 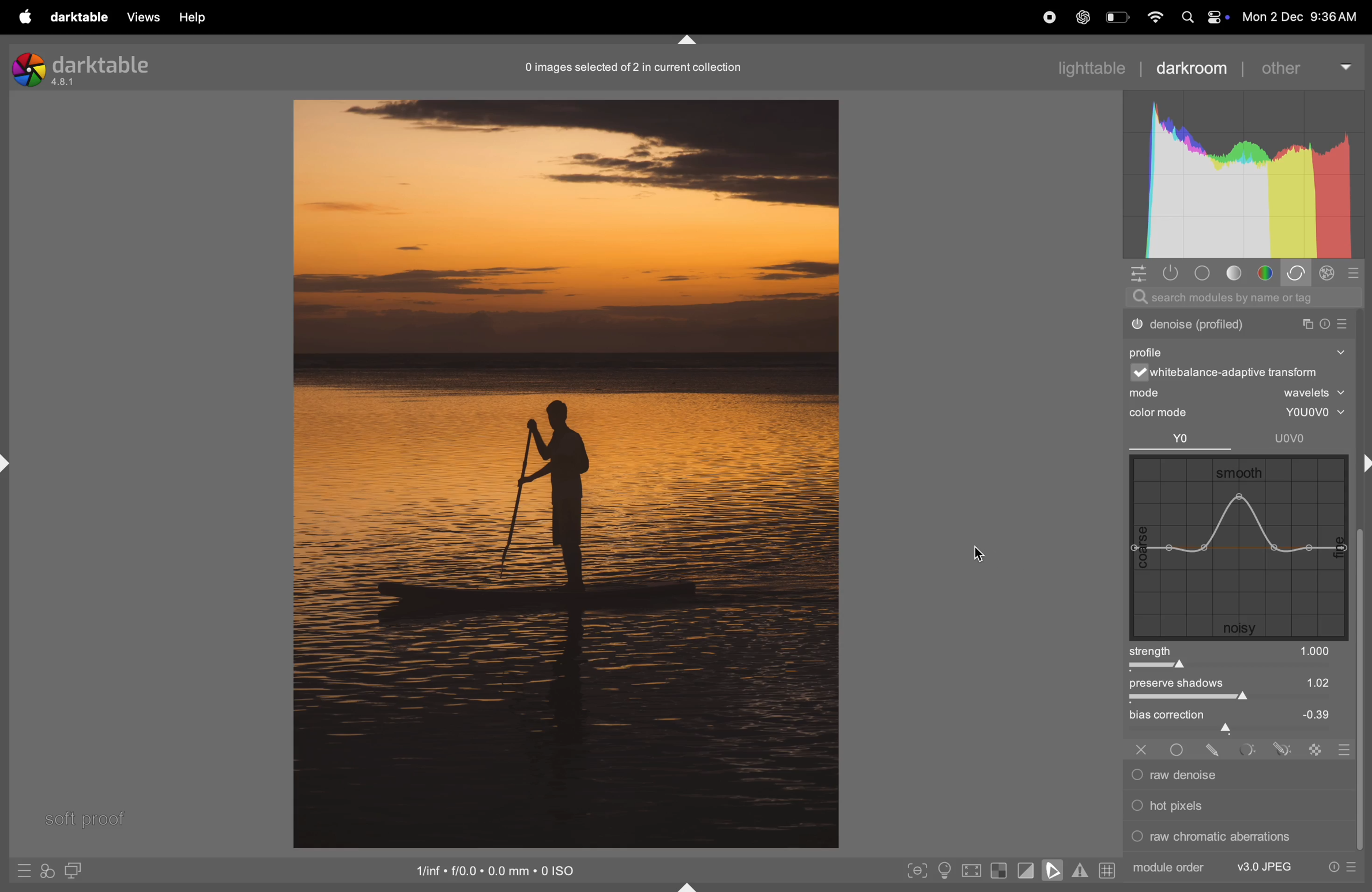 What do you see at coordinates (1091, 67) in the screenshot?
I see `lighttable` at bounding box center [1091, 67].